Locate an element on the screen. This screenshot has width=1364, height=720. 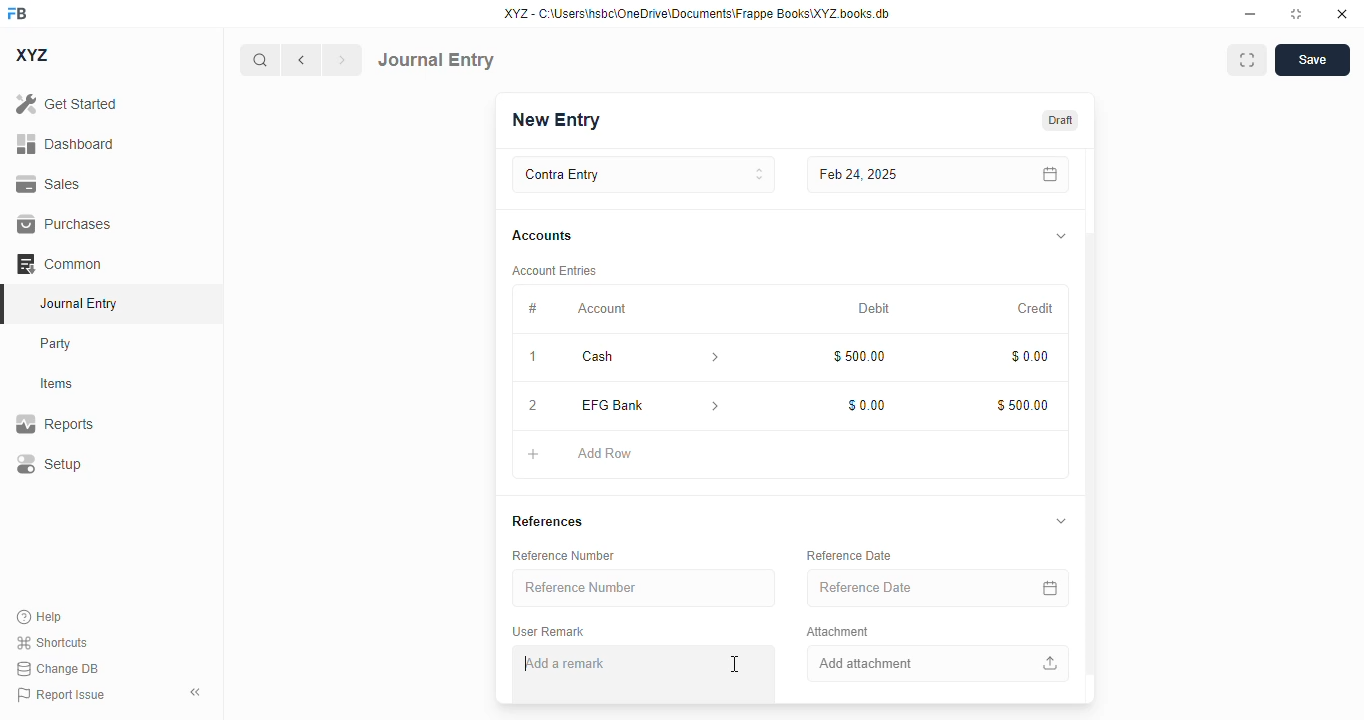
items is located at coordinates (57, 384).